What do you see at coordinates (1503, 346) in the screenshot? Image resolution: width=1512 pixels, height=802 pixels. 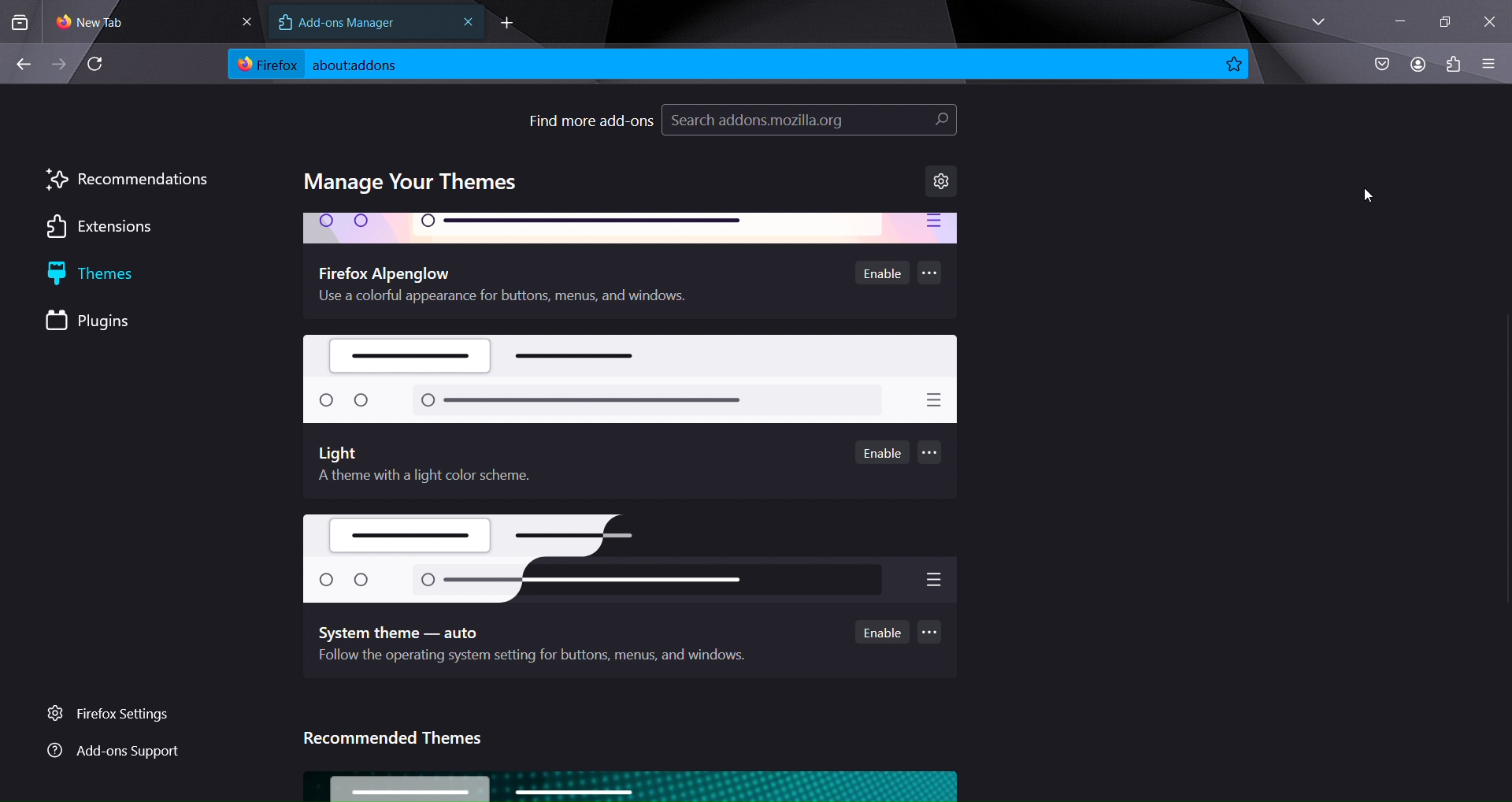 I see `scrollbar` at bounding box center [1503, 346].